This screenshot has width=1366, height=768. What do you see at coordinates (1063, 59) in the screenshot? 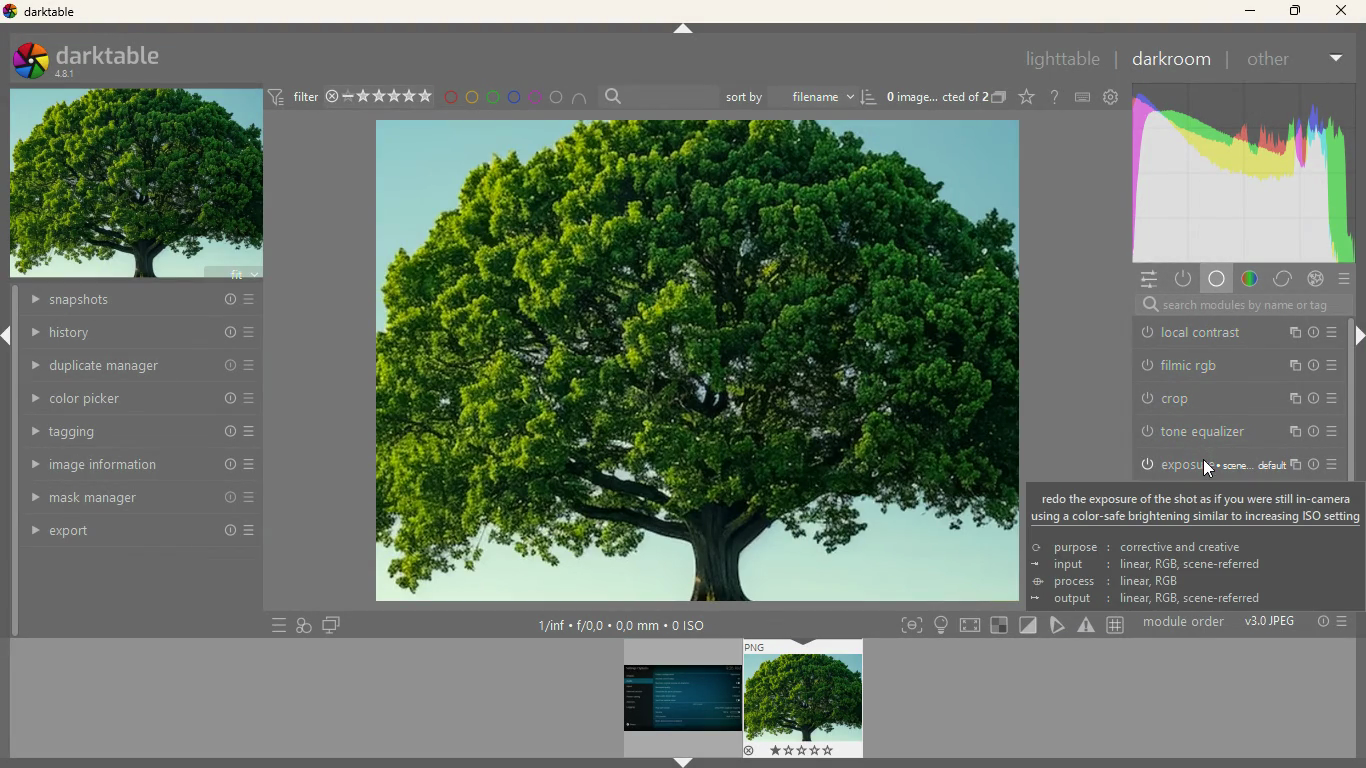
I see `lighttable` at bounding box center [1063, 59].